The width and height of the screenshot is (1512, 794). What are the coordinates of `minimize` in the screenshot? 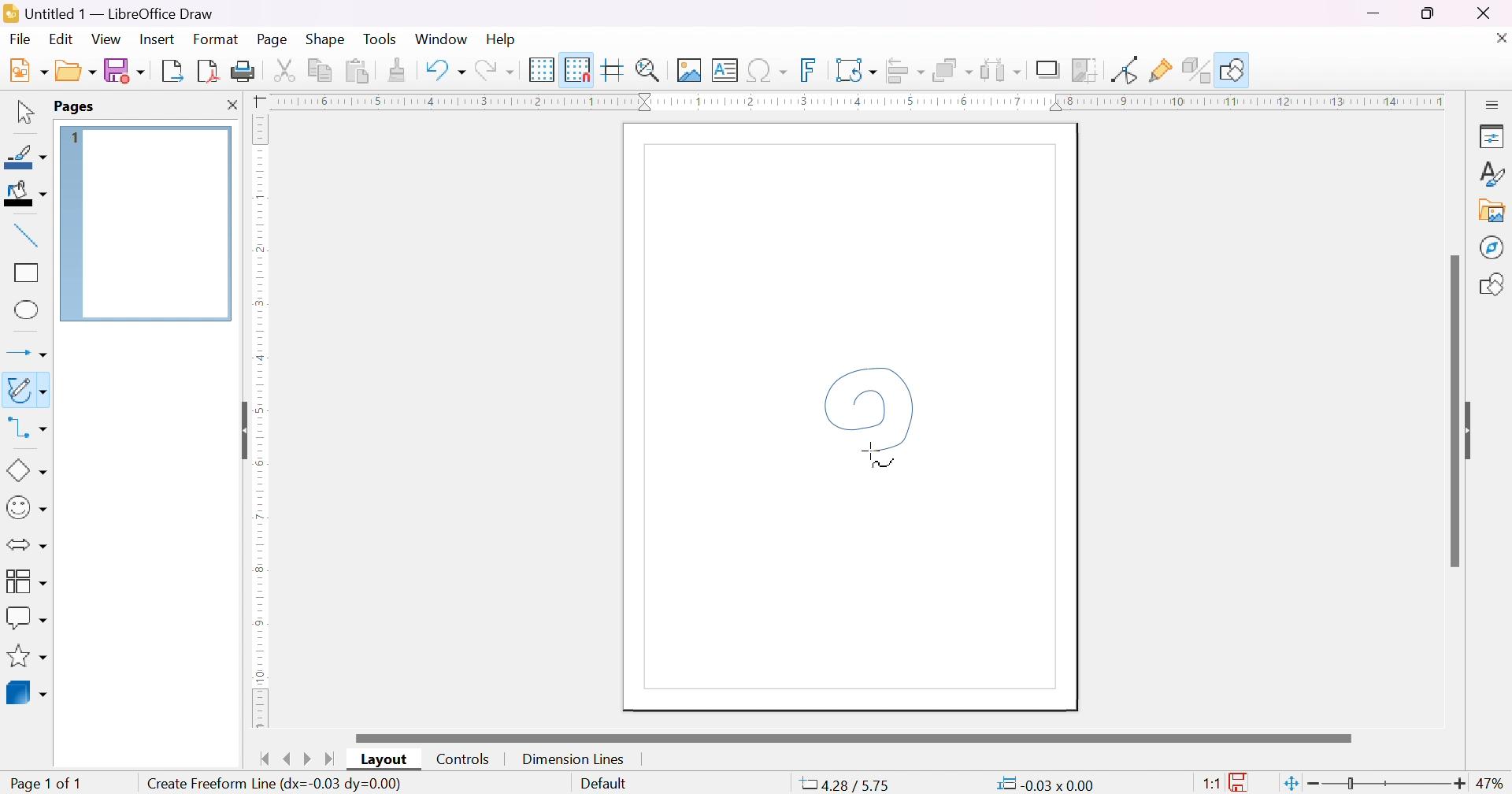 It's located at (1373, 13).